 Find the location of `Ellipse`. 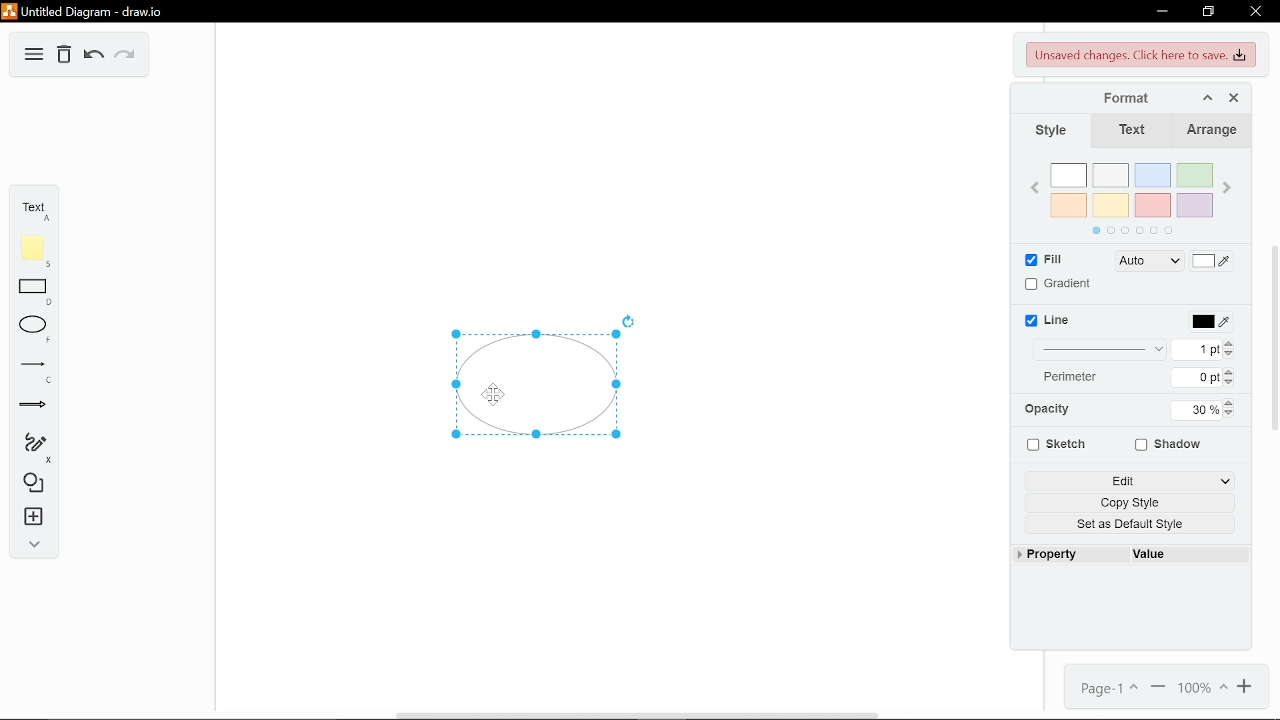

Ellipse is located at coordinates (34, 327).